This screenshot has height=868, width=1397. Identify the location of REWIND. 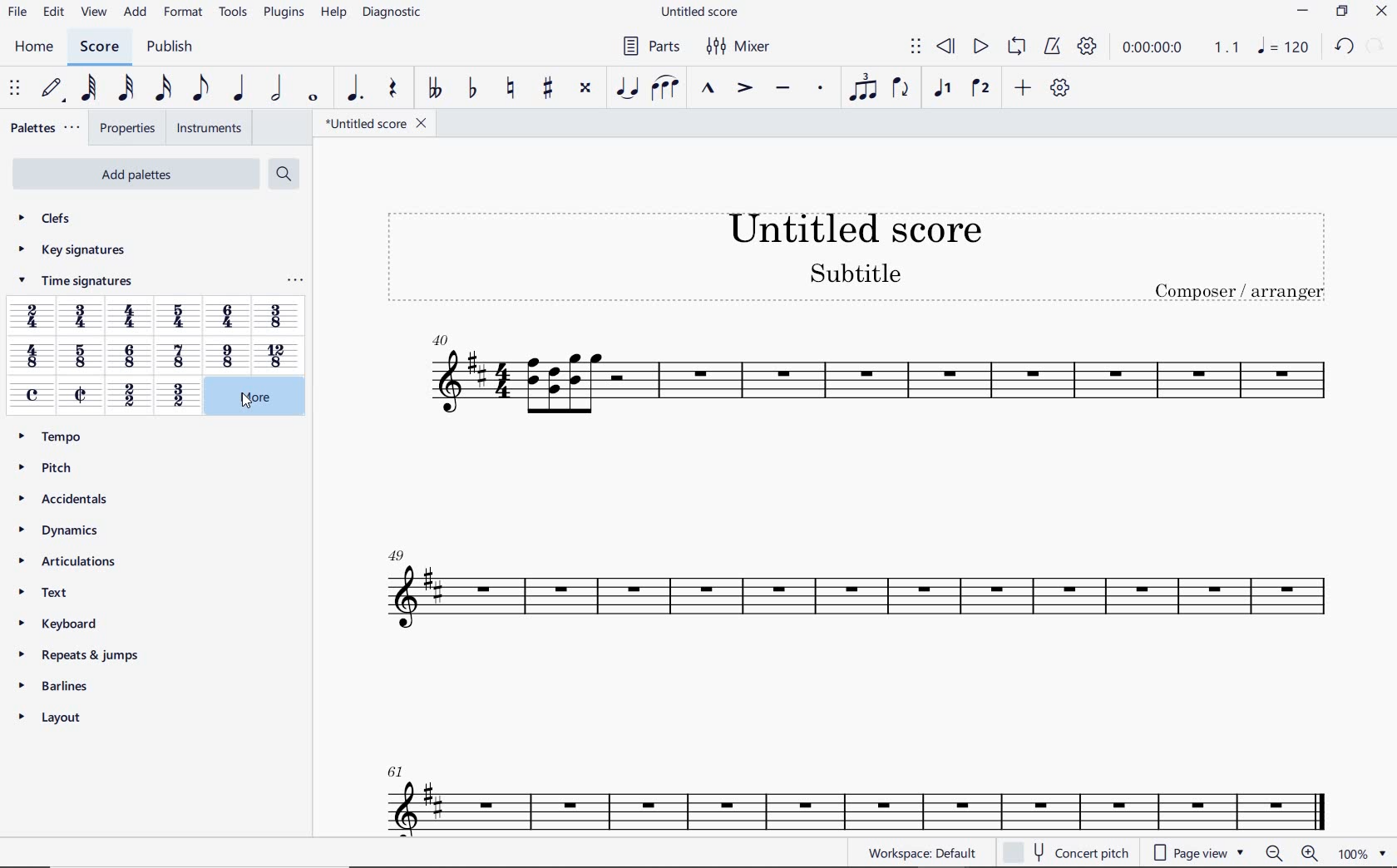
(945, 46).